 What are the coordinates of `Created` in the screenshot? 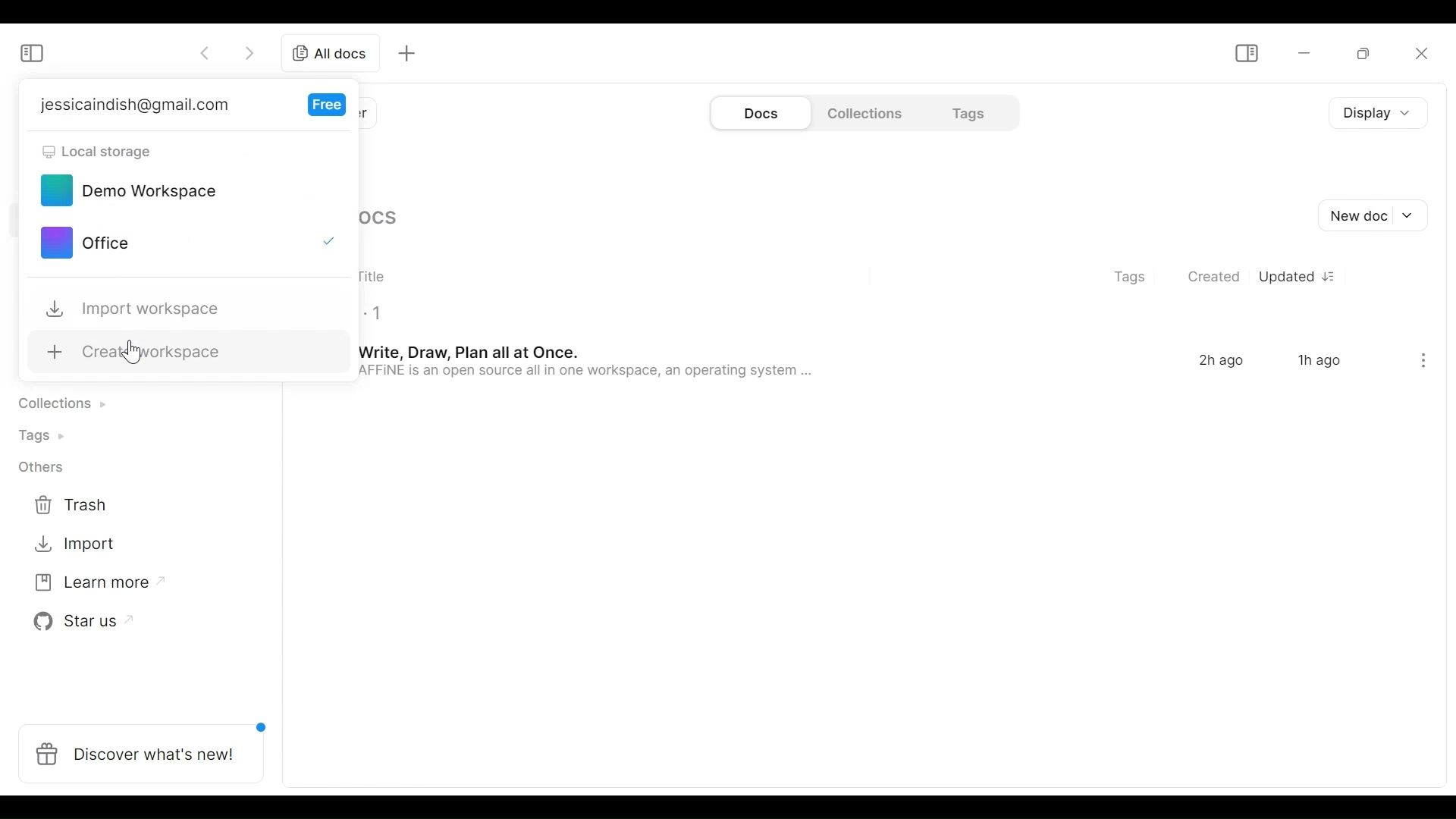 It's located at (1216, 278).